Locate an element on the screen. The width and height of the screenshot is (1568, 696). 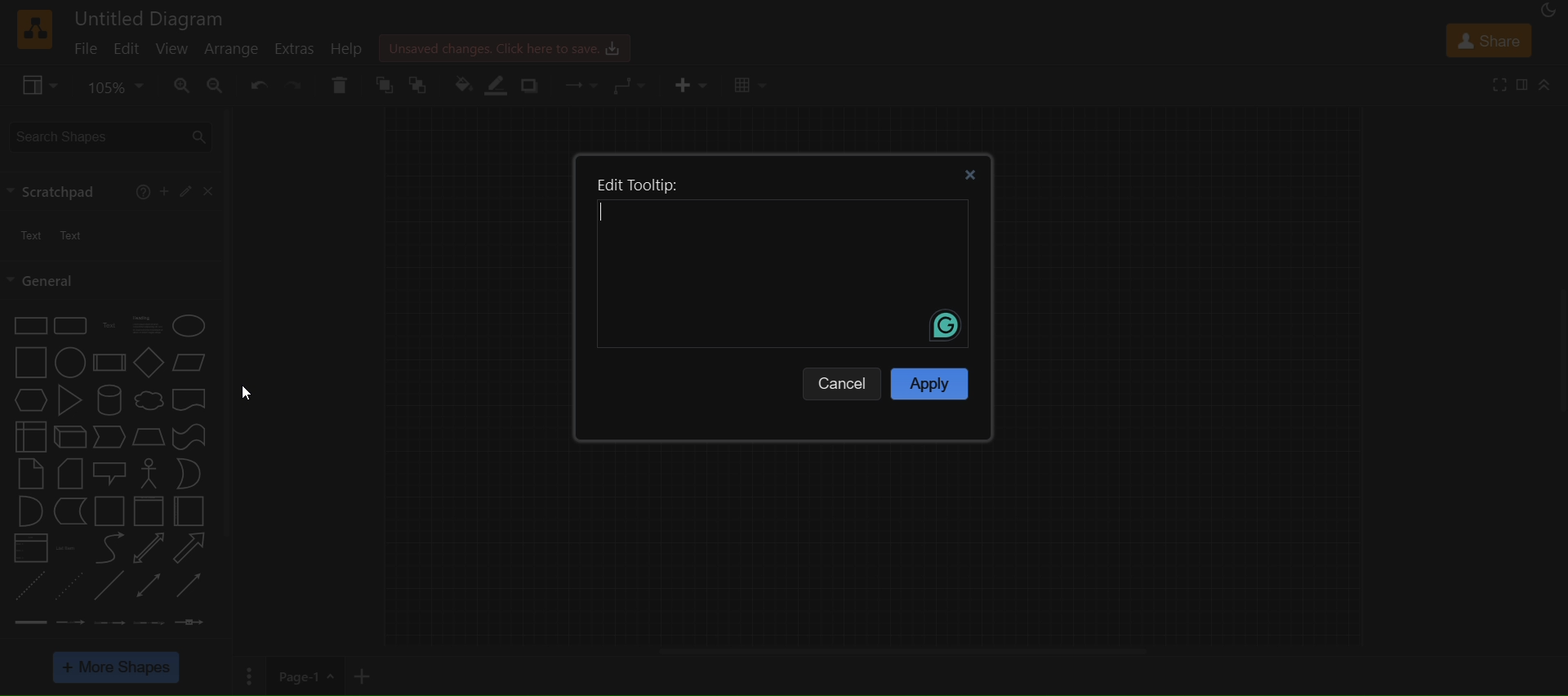
zoom is located at coordinates (115, 87).